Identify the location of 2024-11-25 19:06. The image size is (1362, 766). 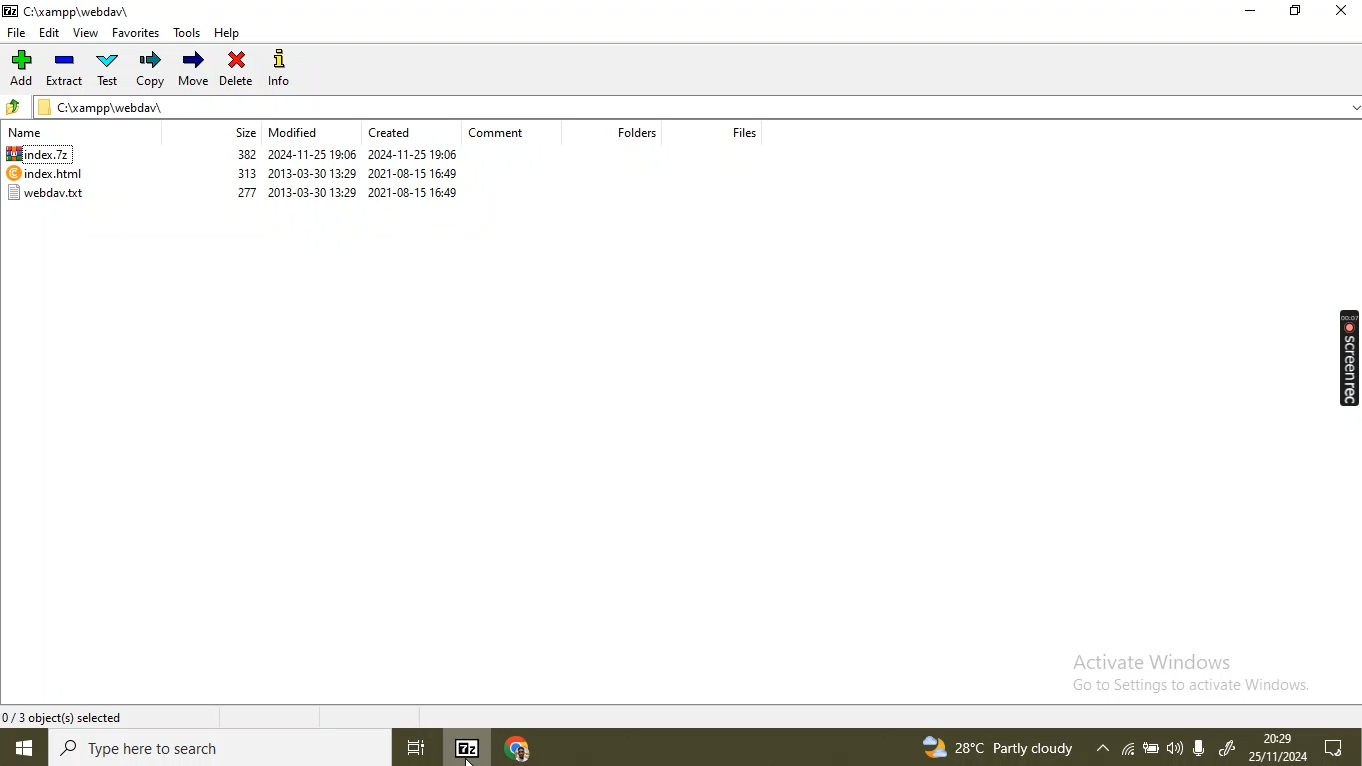
(411, 155).